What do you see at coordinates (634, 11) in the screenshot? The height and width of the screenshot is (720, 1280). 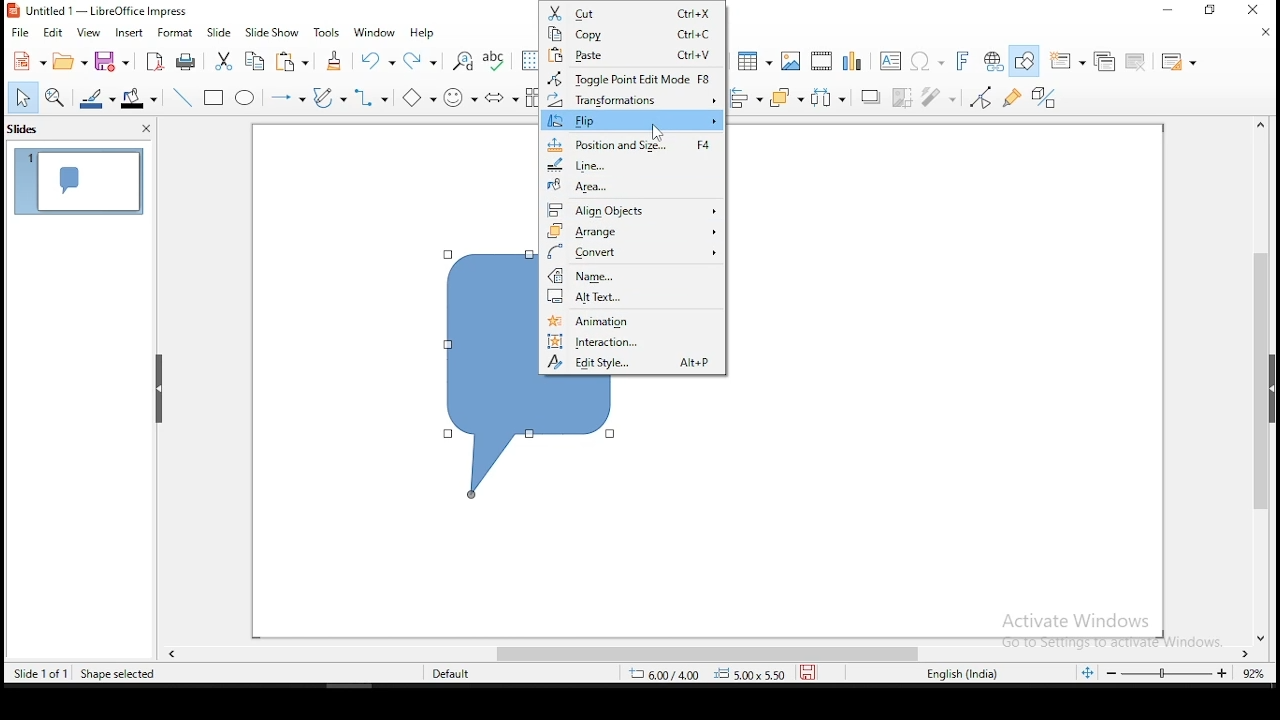 I see `cut` at bounding box center [634, 11].